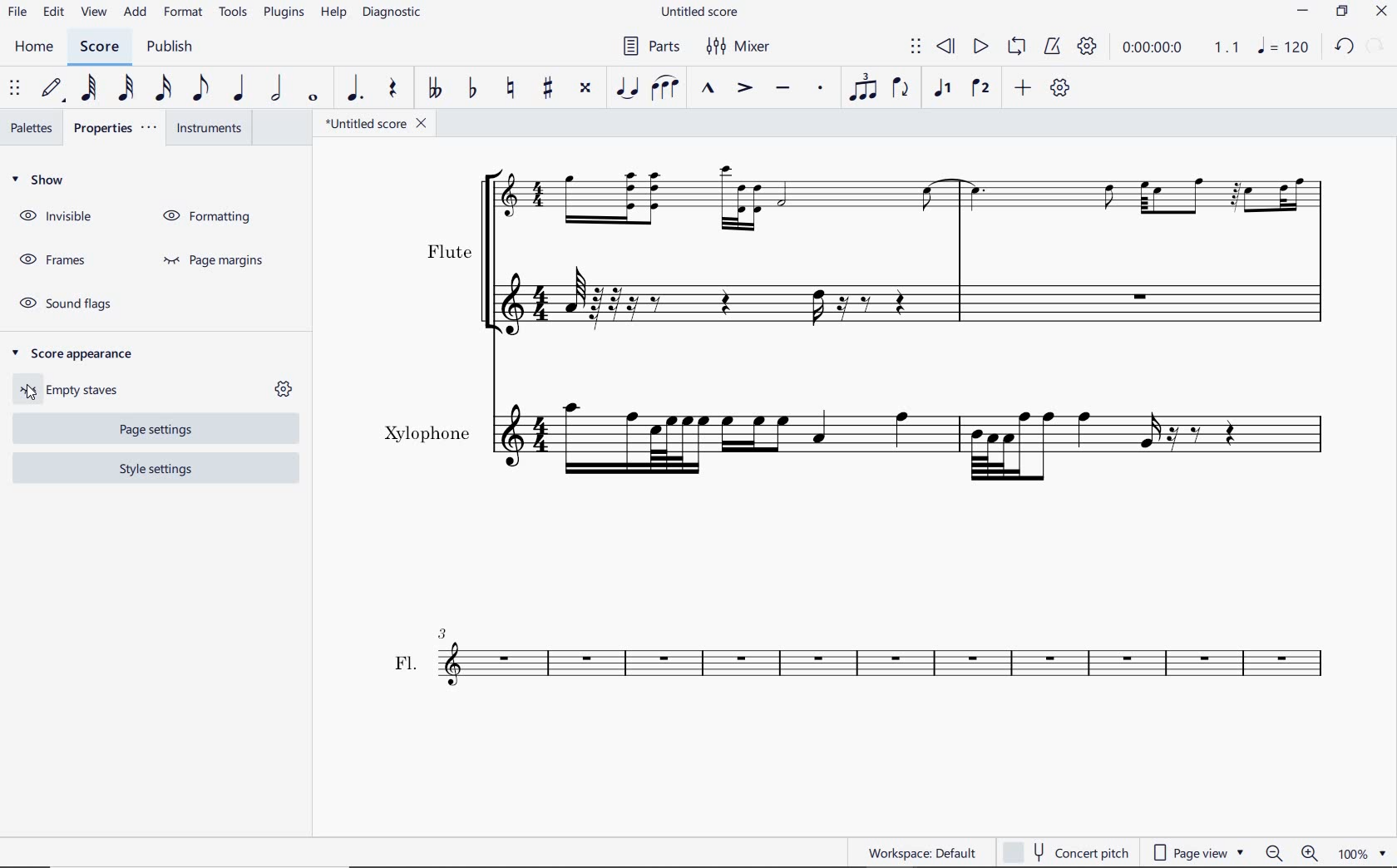 This screenshot has width=1397, height=868. Describe the element at coordinates (283, 17) in the screenshot. I see `PLUGINS` at that location.